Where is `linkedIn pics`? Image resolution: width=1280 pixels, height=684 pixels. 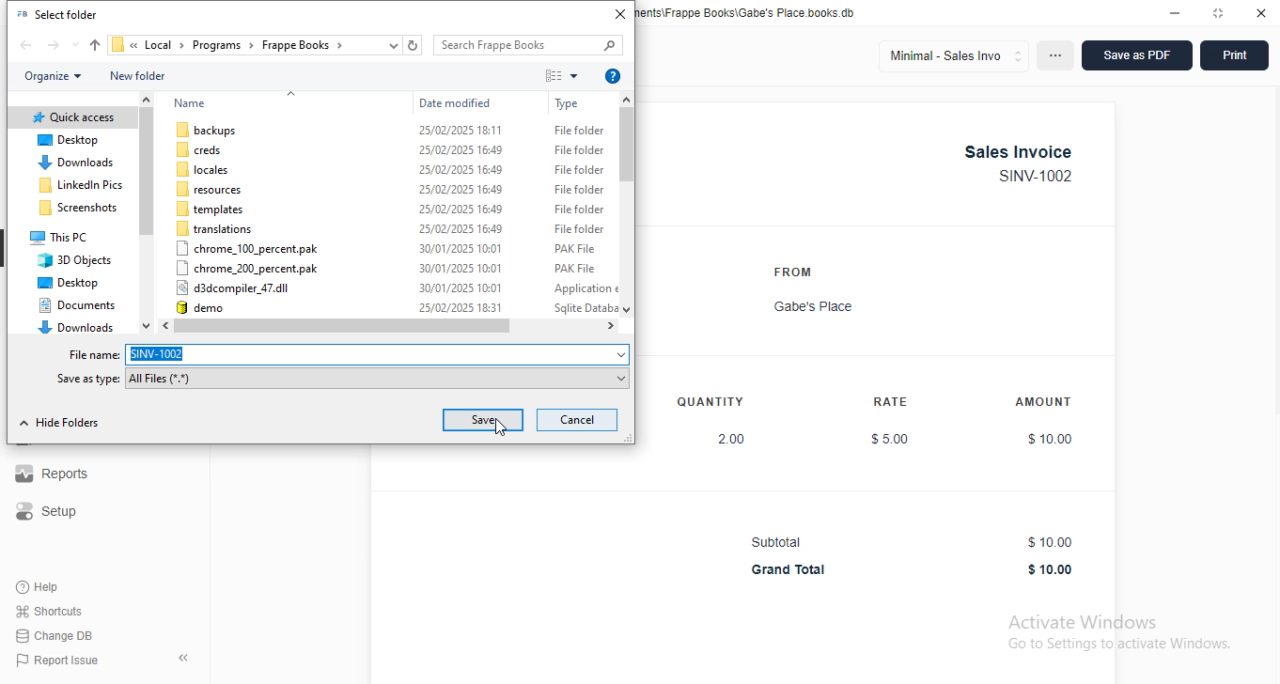
linkedIn pics is located at coordinates (81, 185).